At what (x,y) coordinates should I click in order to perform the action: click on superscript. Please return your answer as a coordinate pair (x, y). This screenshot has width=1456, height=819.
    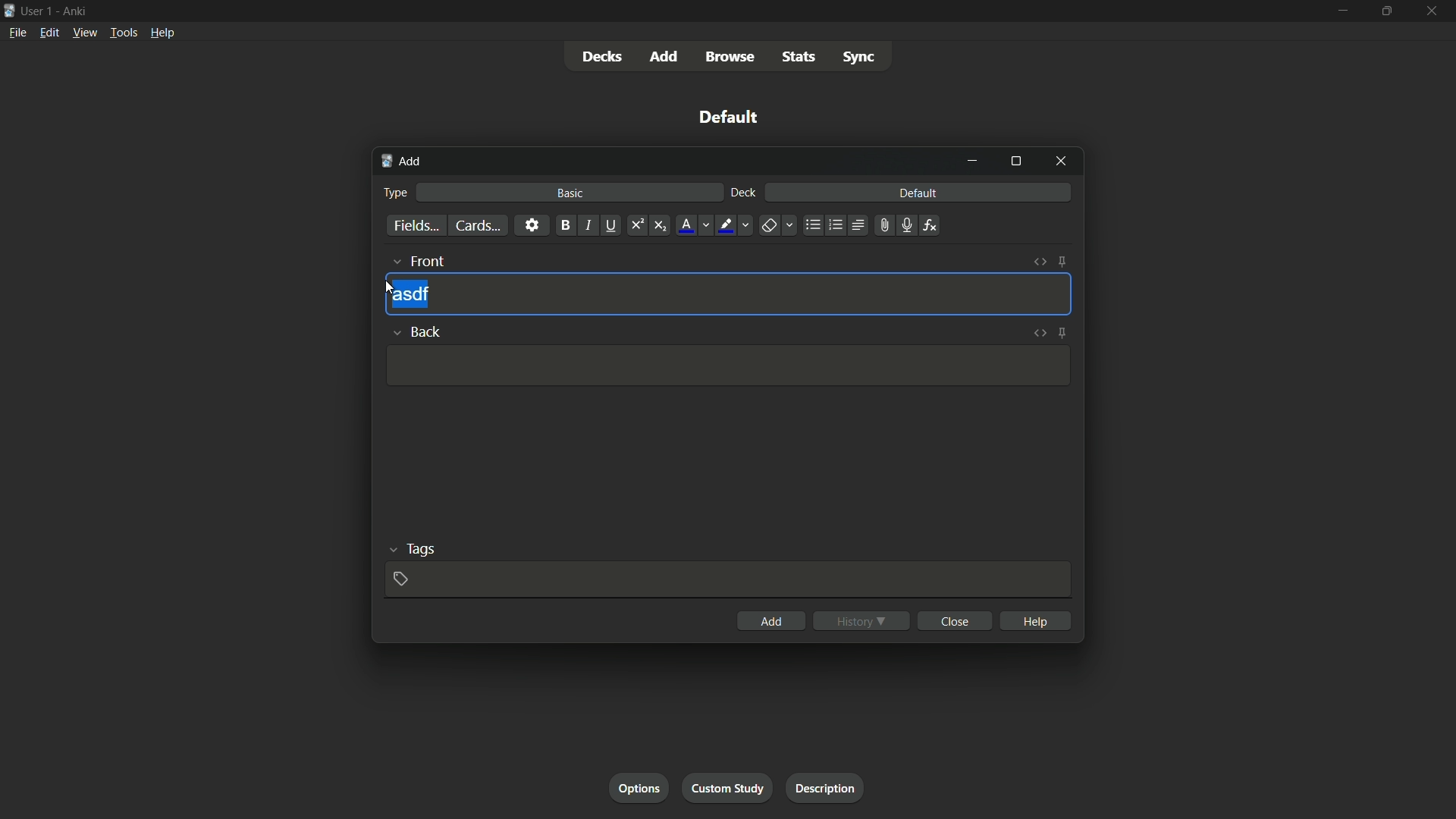
    Looking at the image, I should click on (636, 225).